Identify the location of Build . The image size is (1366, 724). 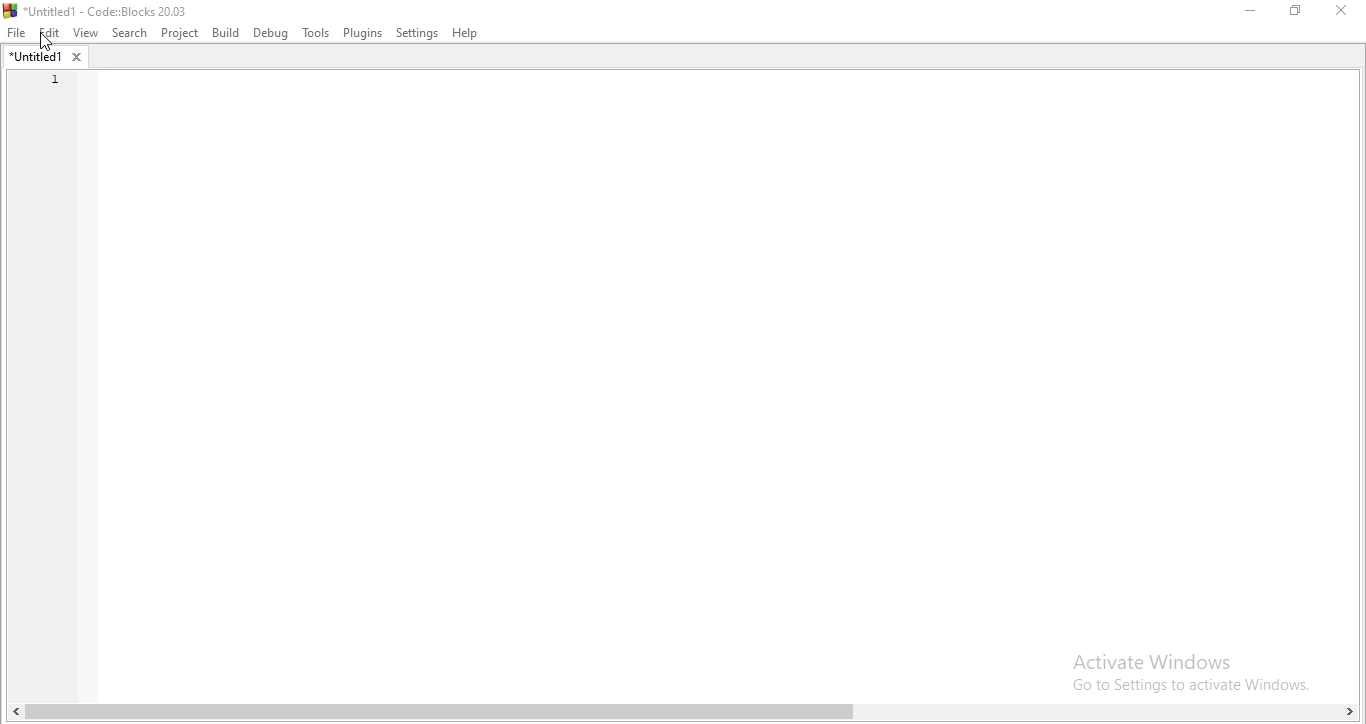
(225, 32).